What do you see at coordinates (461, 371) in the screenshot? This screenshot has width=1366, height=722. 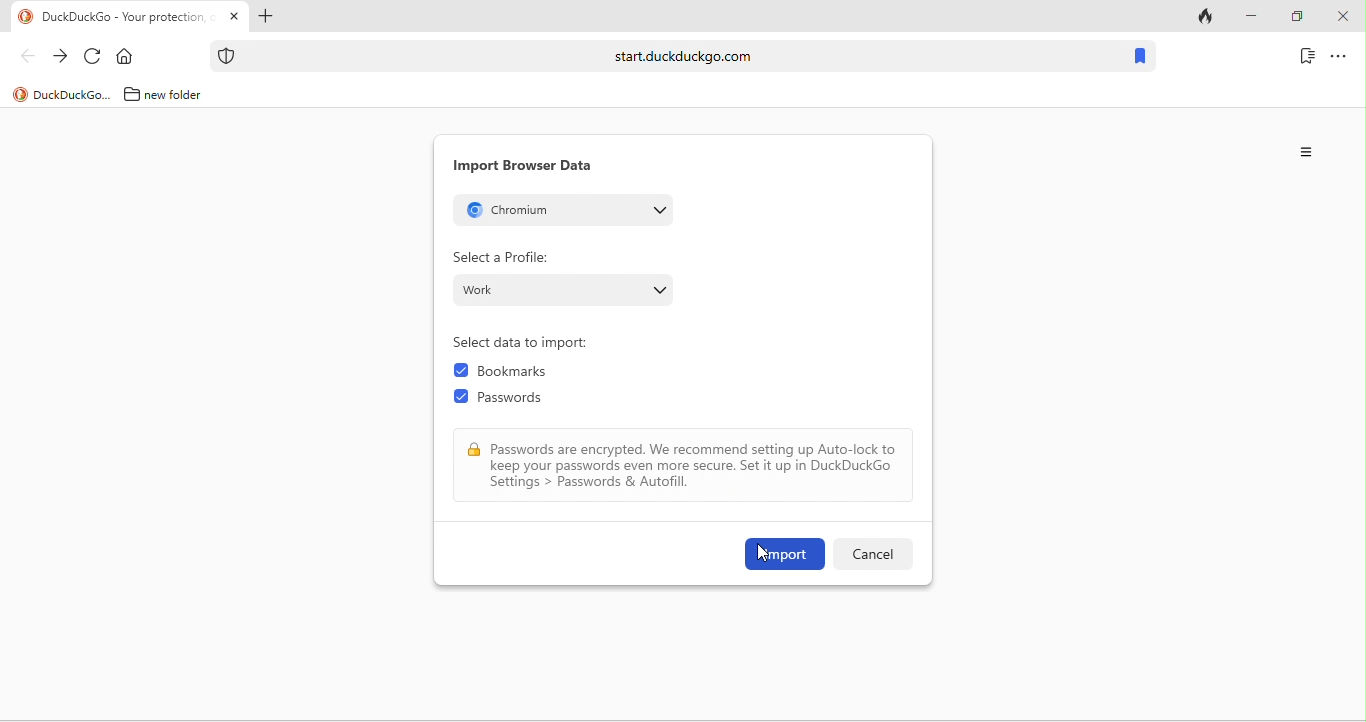 I see `checked checkbox` at bounding box center [461, 371].